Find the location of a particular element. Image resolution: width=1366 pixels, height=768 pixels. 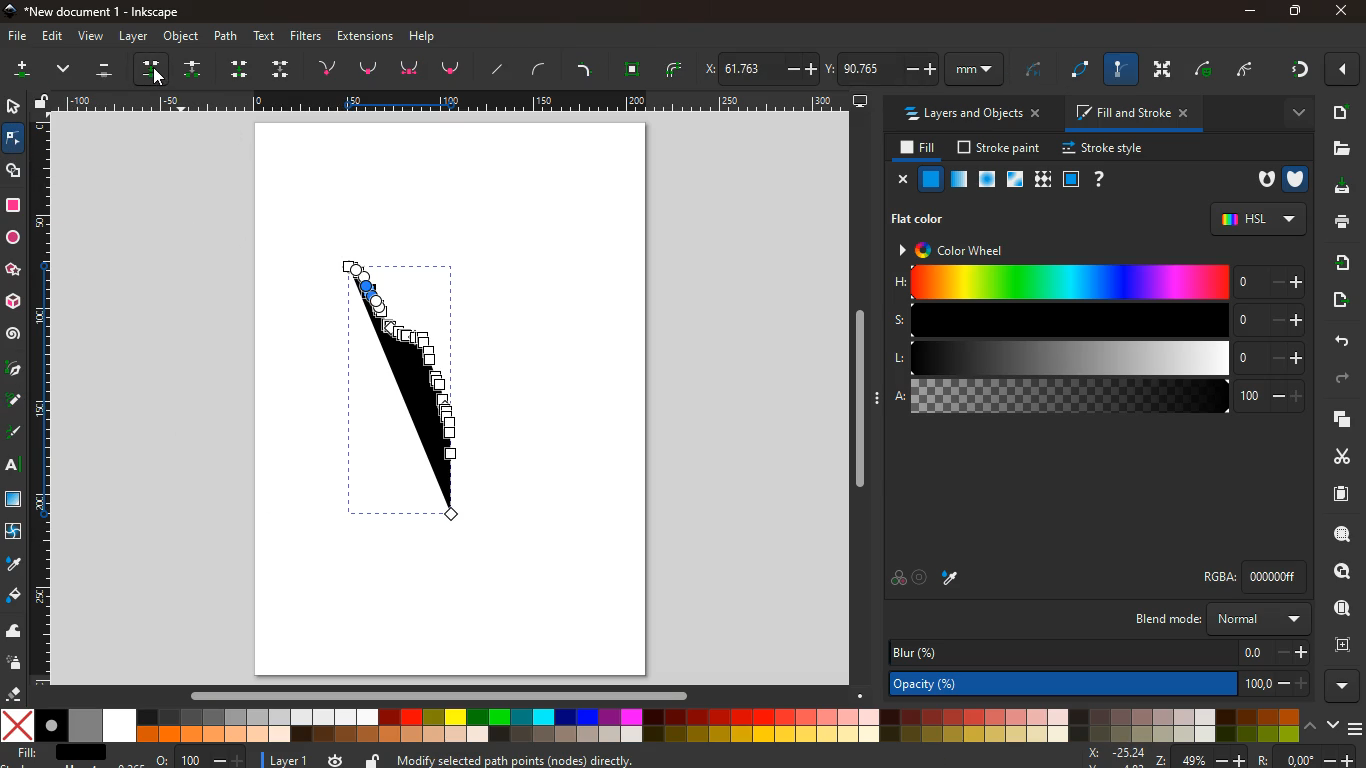

screen is located at coordinates (861, 100).